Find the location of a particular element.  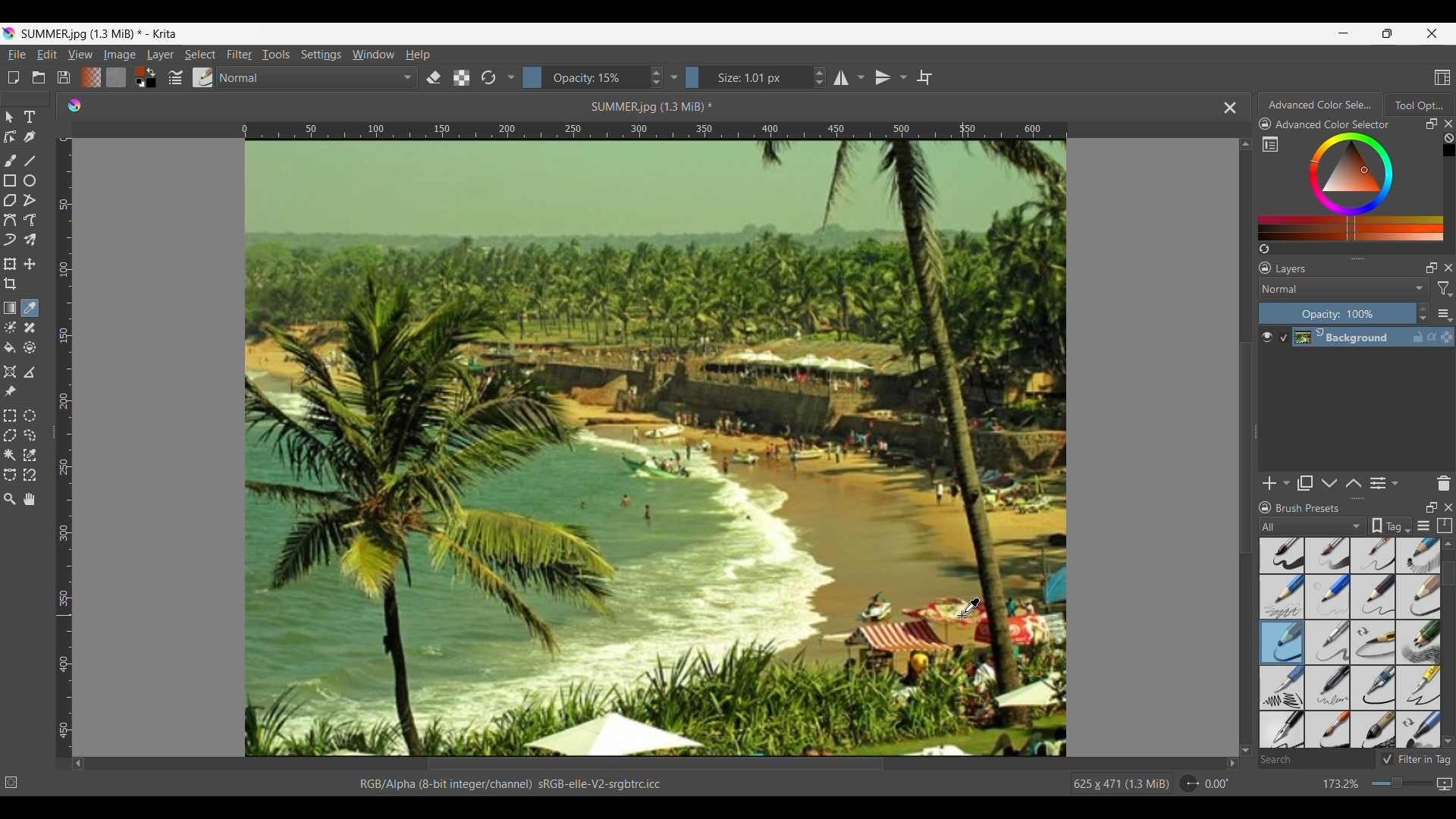

Advanced Color Selector is located at coordinates (1320, 105).